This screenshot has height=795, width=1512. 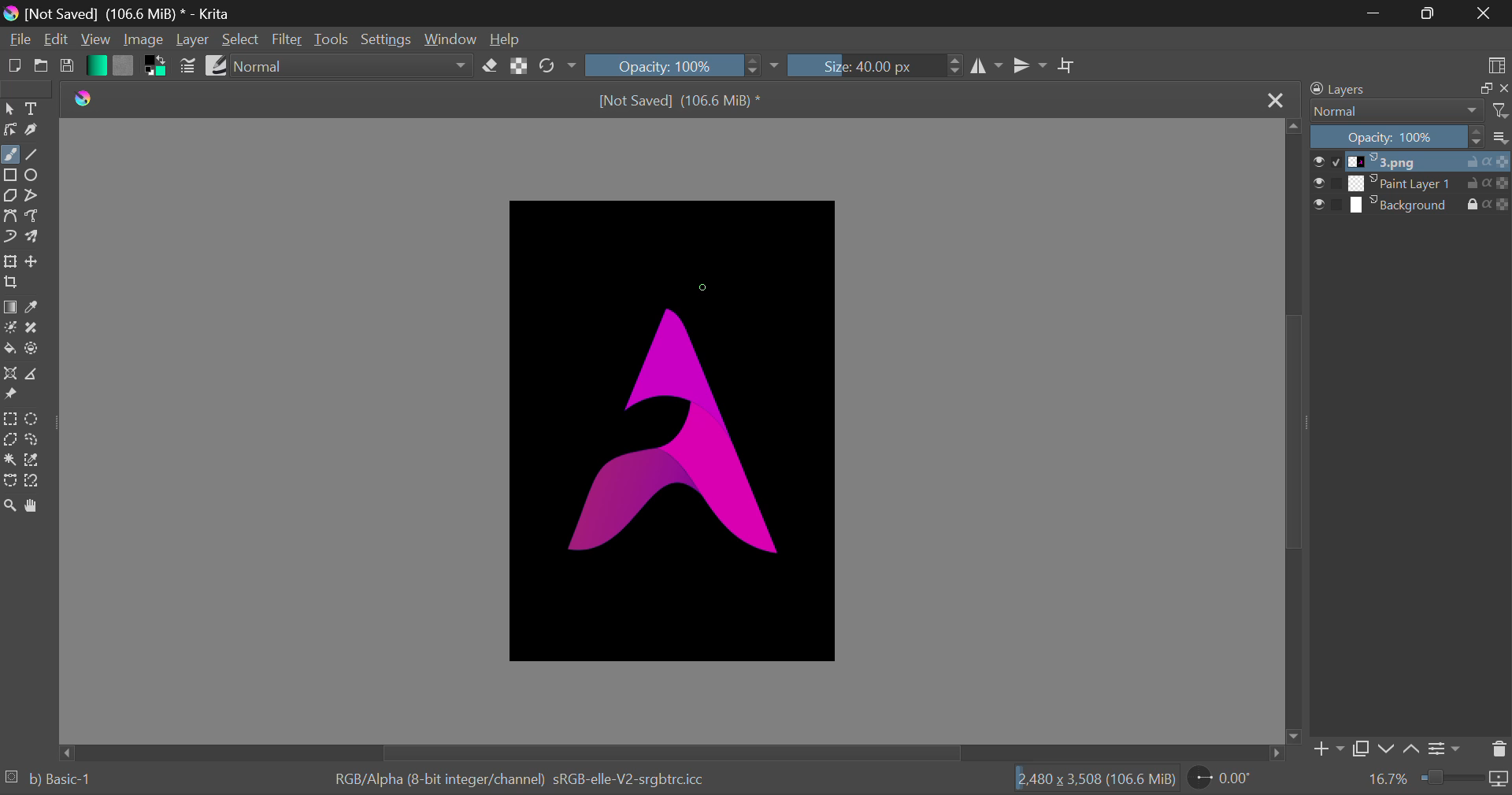 I want to click on Zoom, so click(x=10, y=505).